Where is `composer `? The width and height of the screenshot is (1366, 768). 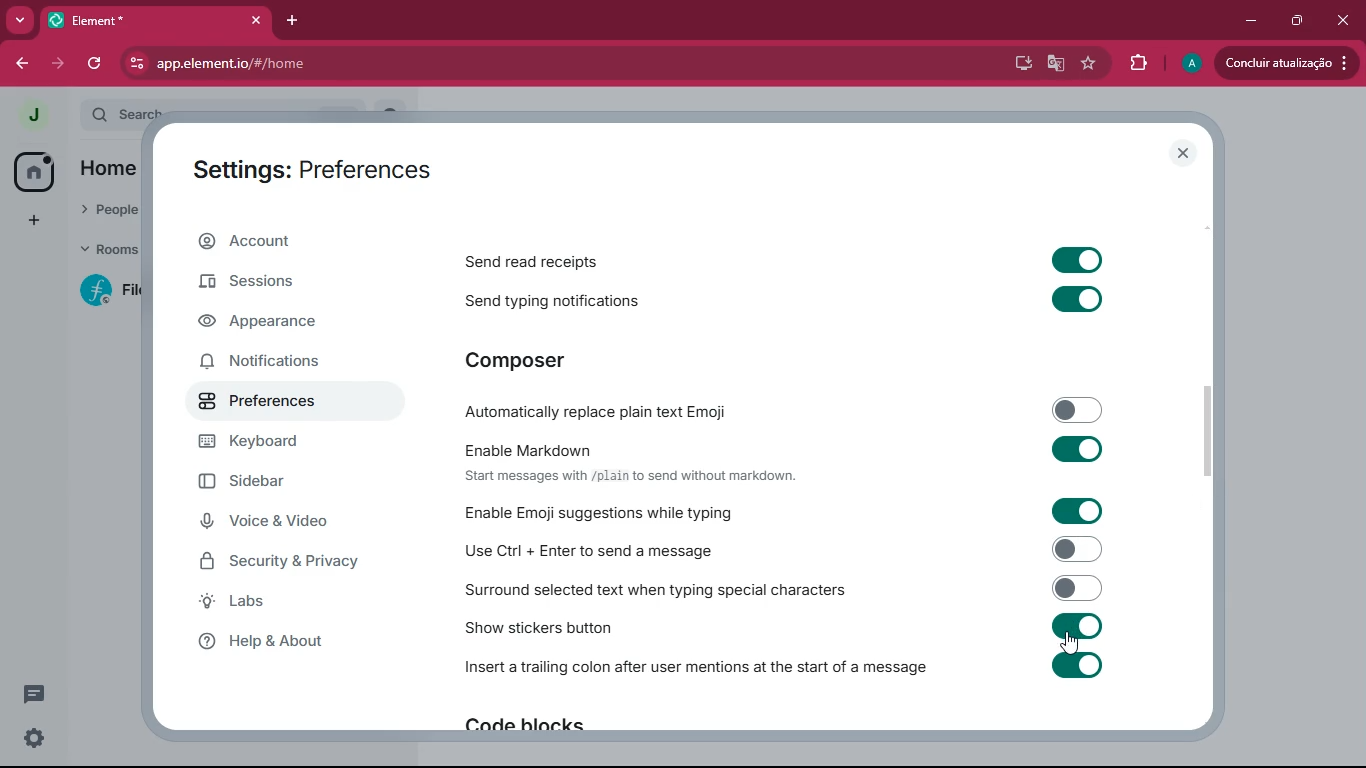 composer  is located at coordinates (528, 361).